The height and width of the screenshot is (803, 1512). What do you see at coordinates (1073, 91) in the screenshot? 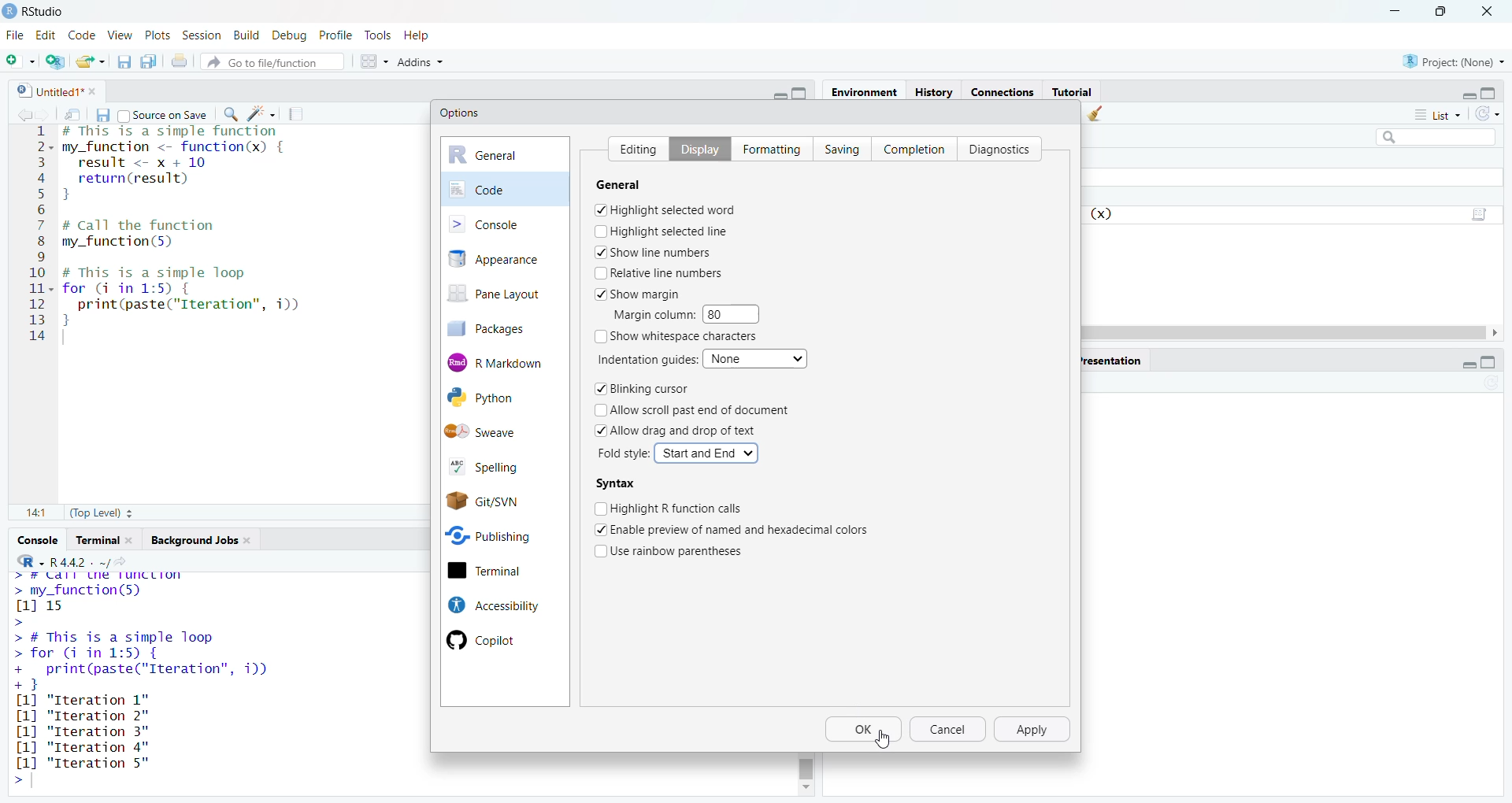
I see `Tutorial` at bounding box center [1073, 91].